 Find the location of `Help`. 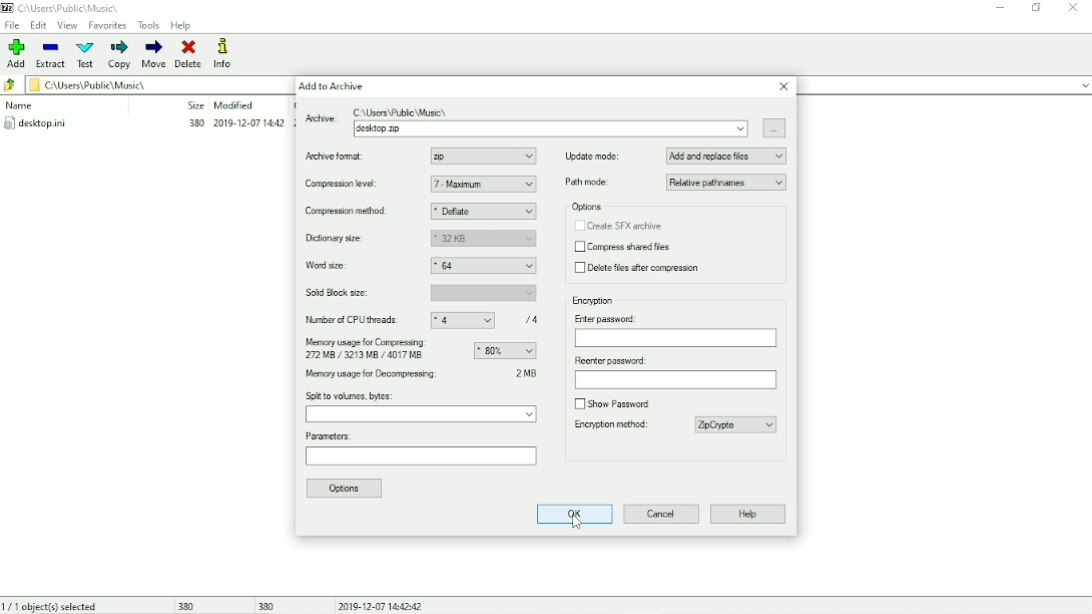

Help is located at coordinates (181, 26).